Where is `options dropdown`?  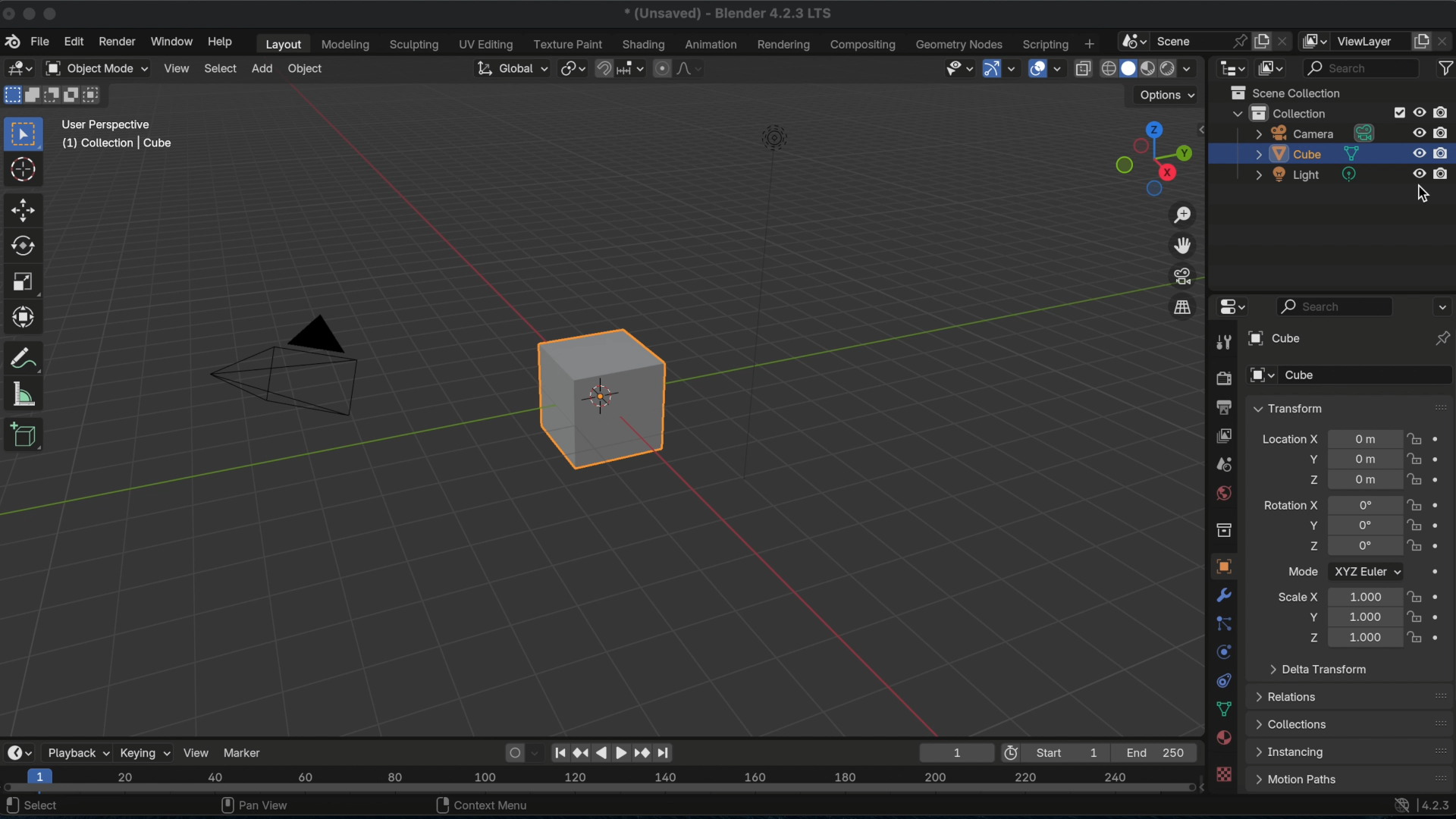 options dropdown is located at coordinates (1162, 96).